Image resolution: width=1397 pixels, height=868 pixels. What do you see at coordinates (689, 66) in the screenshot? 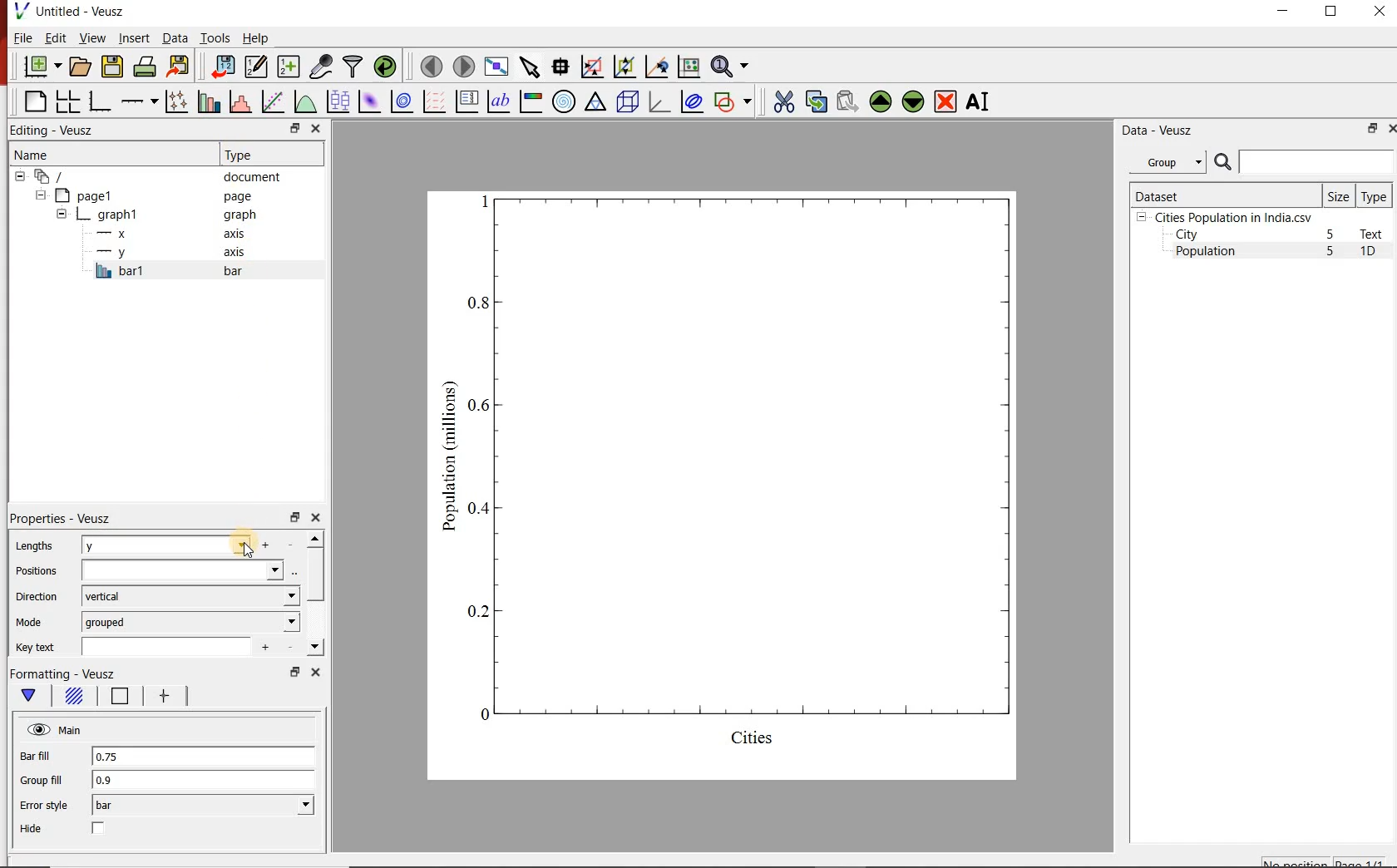
I see `click to reset graph axes` at bounding box center [689, 66].